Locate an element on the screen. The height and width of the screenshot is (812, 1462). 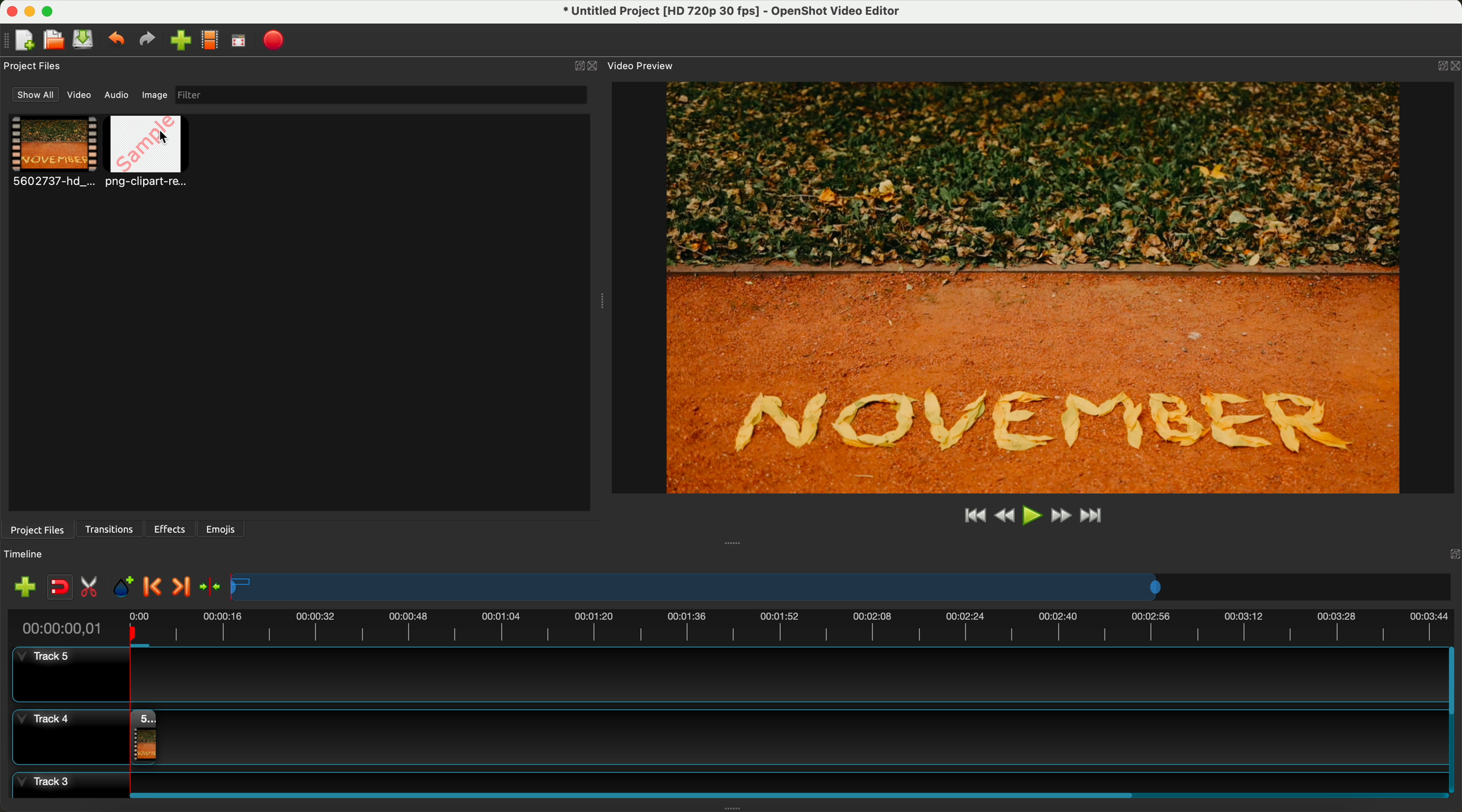
transitions is located at coordinates (111, 529).